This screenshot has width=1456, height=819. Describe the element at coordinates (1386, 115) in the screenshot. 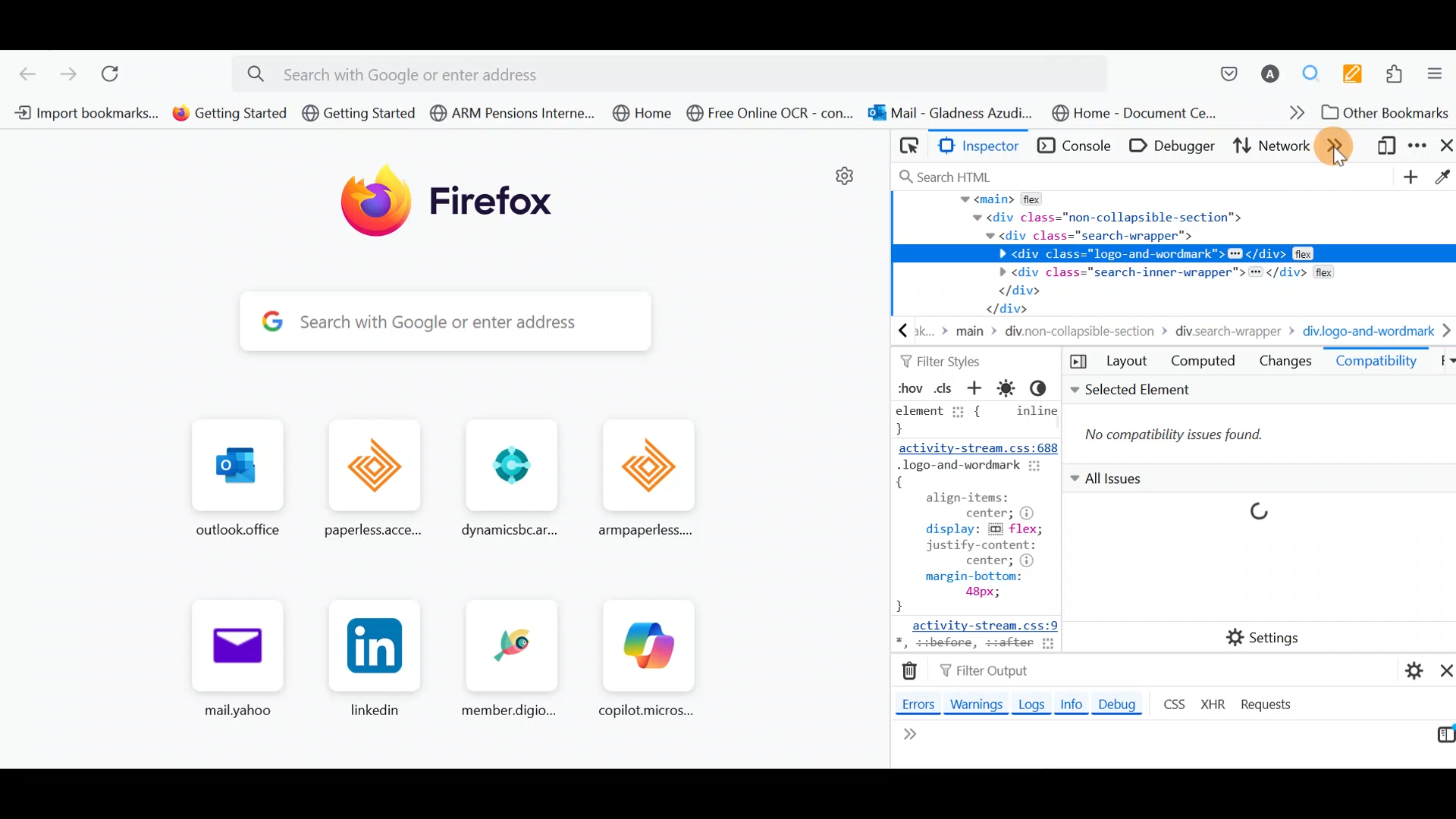

I see `Other bookmarks` at that location.